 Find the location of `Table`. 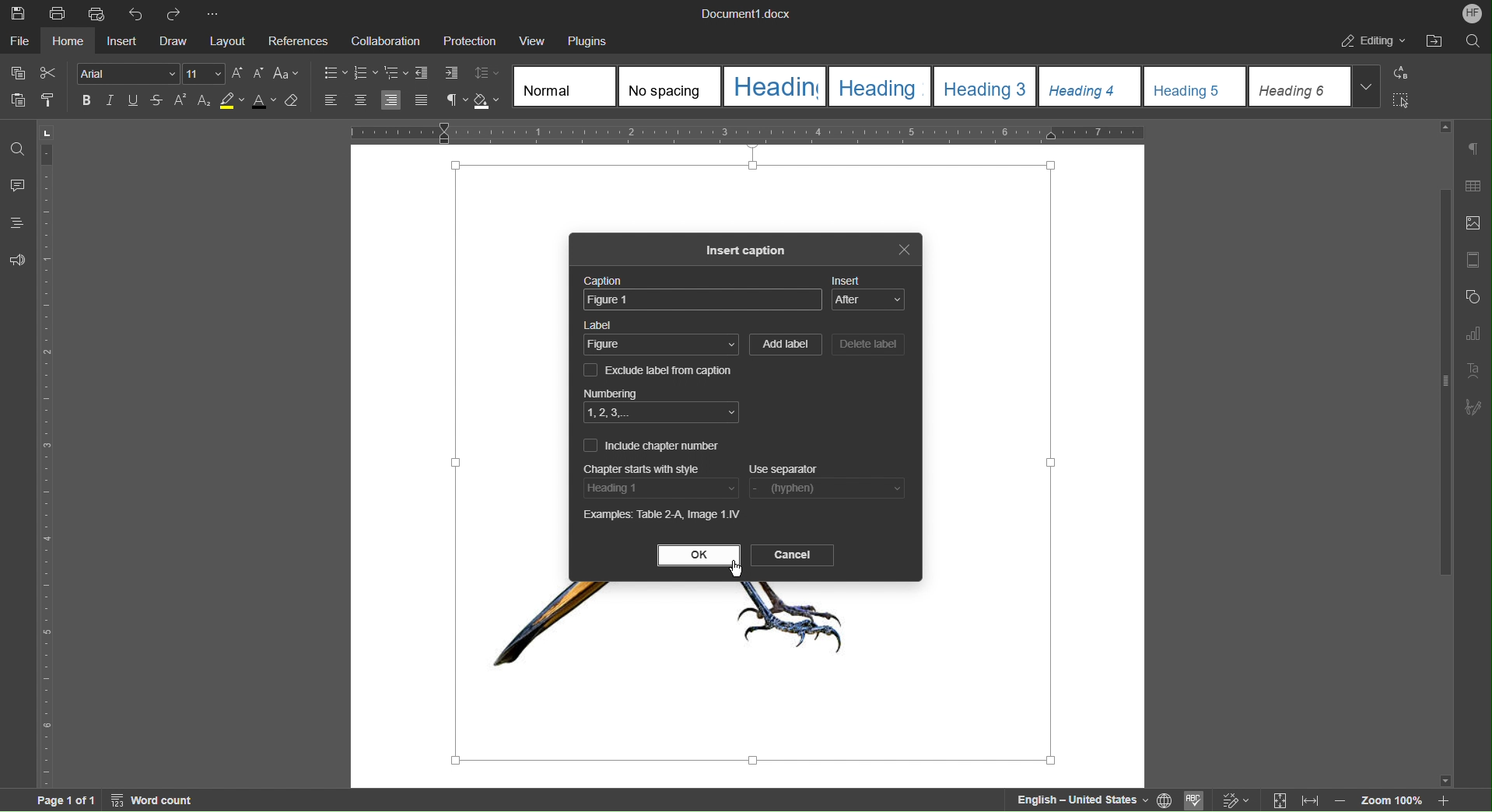

Table is located at coordinates (1473, 190).